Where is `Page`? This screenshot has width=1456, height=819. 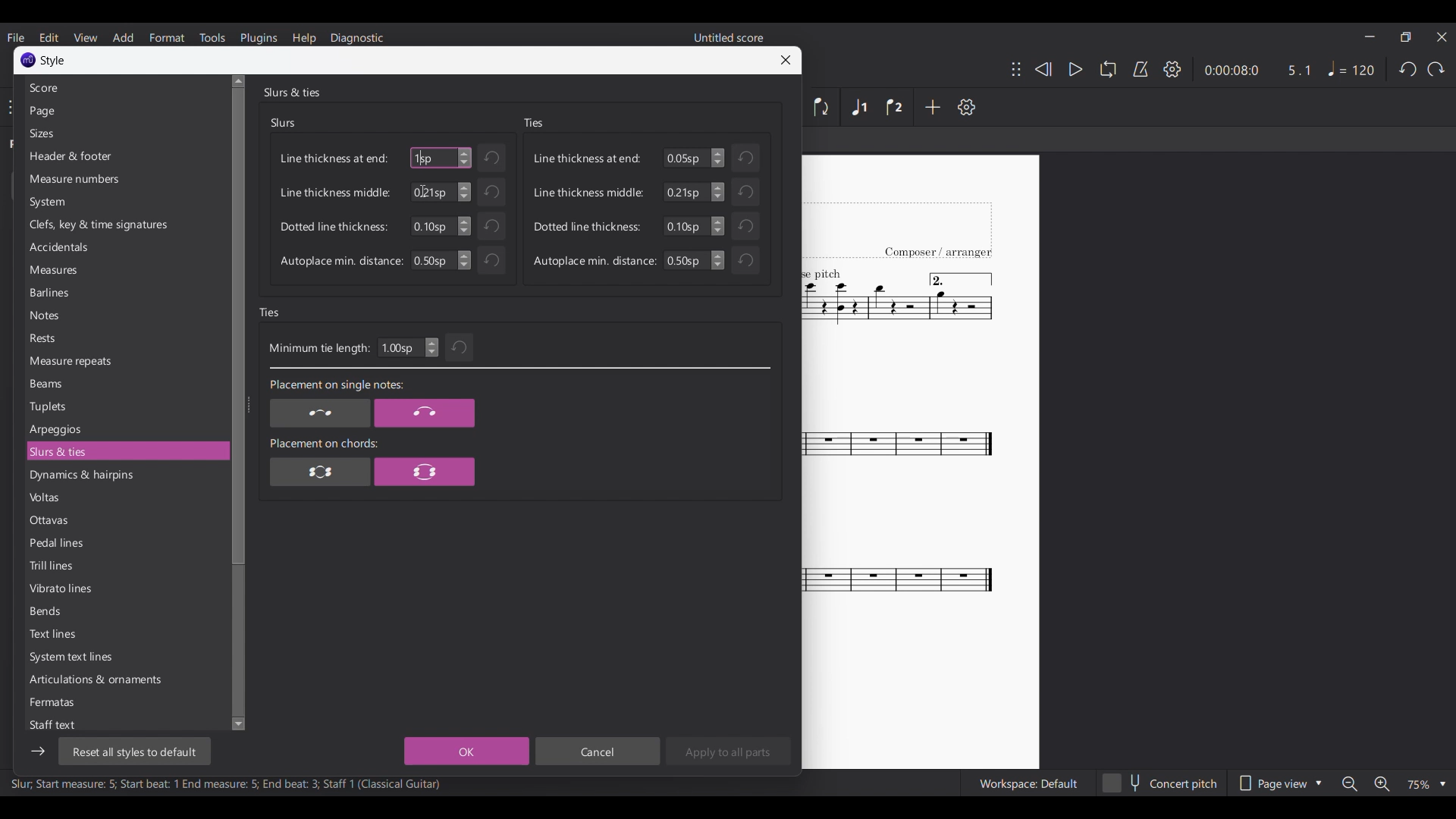
Page is located at coordinates (124, 111).